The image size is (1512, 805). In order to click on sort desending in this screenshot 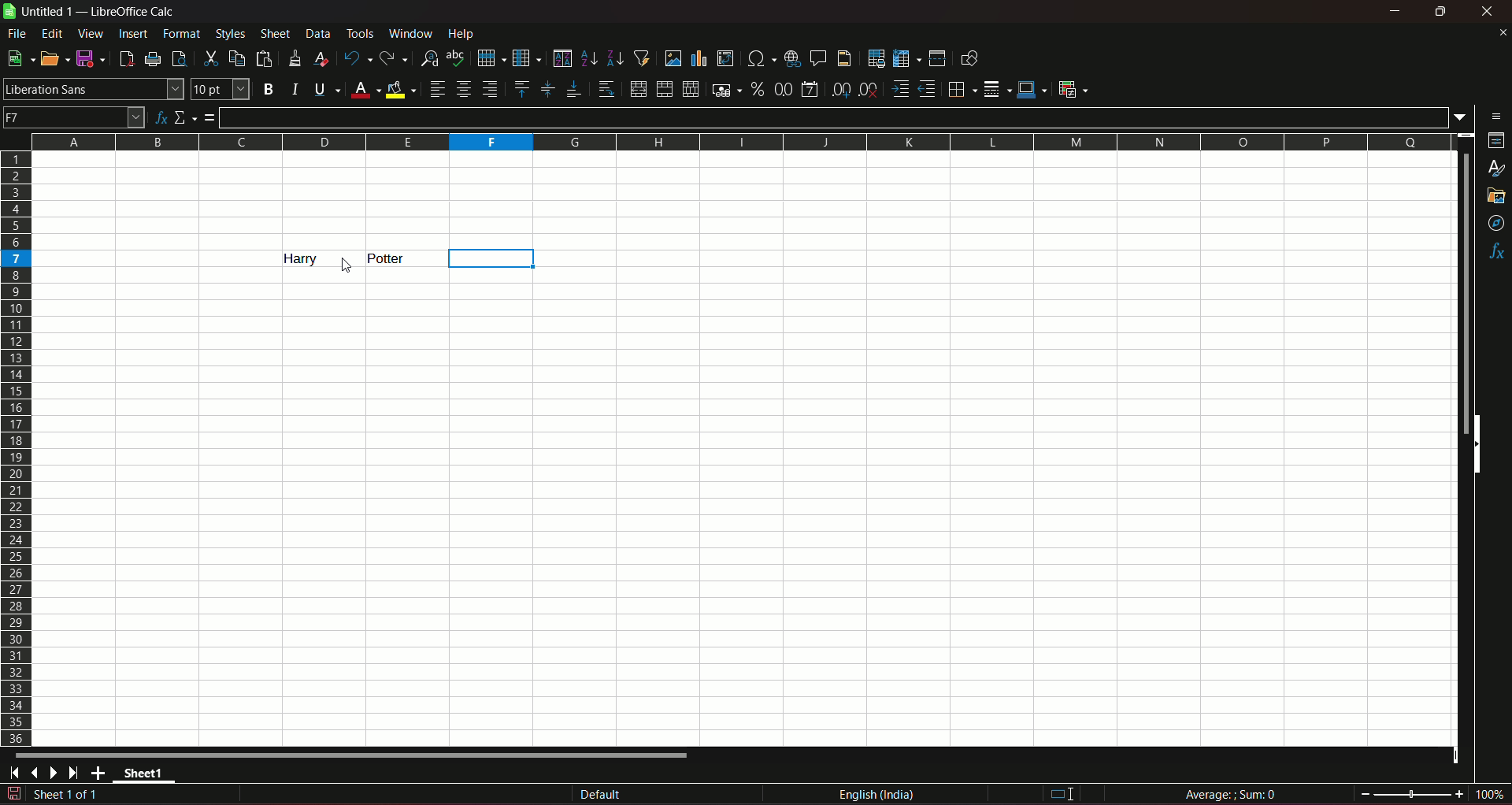, I will do `click(616, 57)`.